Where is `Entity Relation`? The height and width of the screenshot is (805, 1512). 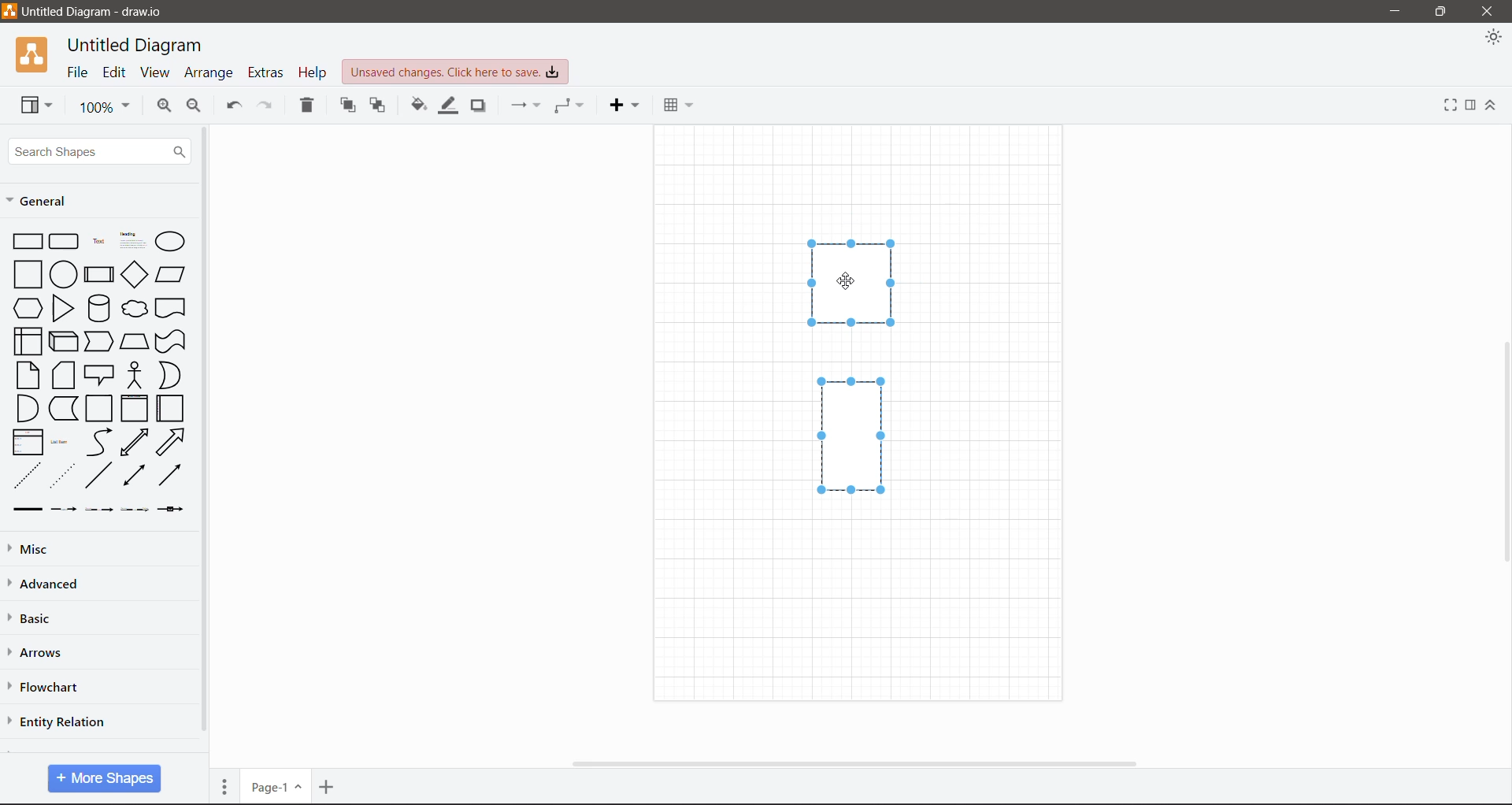
Entity Relation is located at coordinates (57, 721).